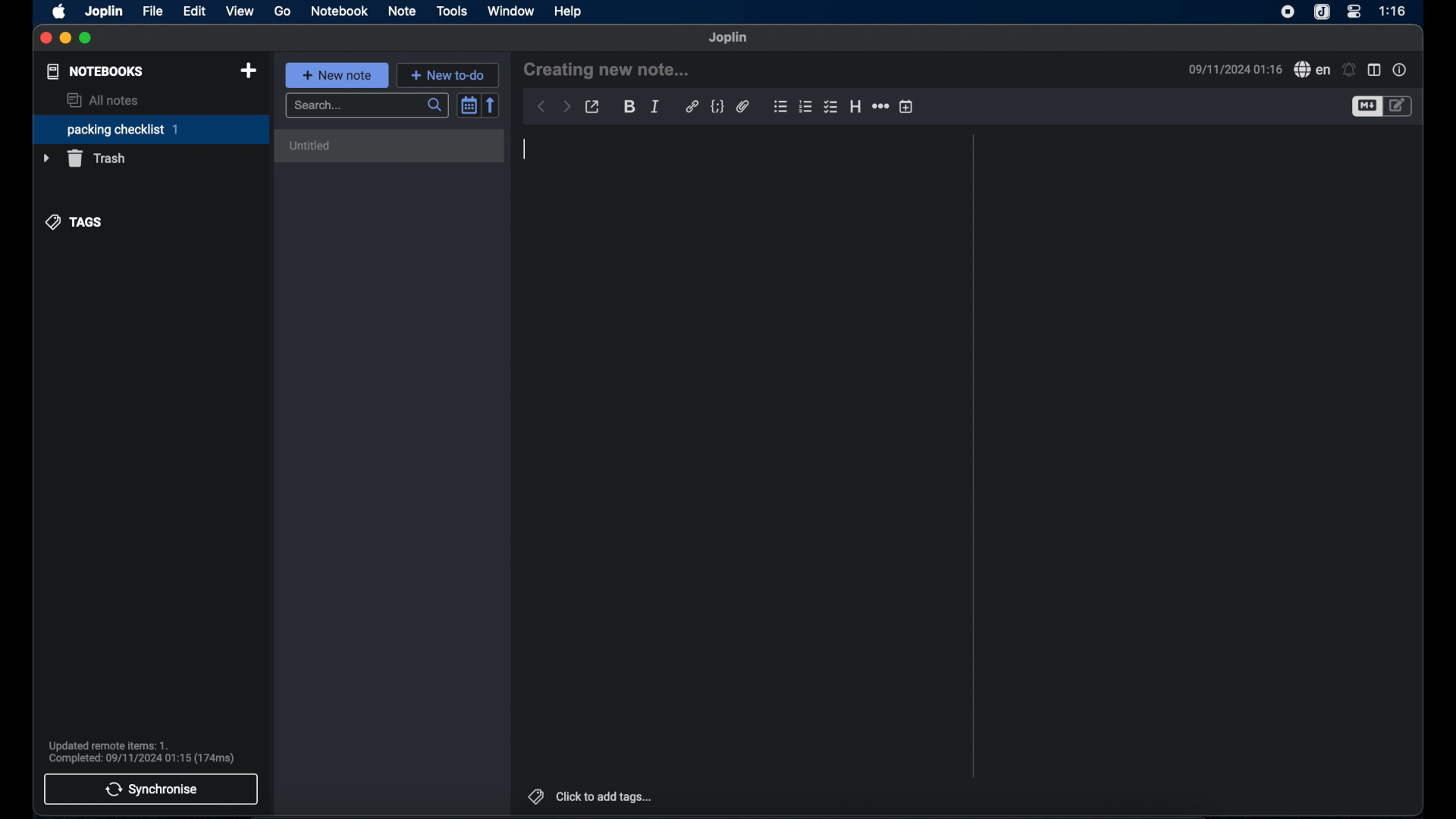 This screenshot has height=819, width=1456. What do you see at coordinates (282, 11) in the screenshot?
I see `go` at bounding box center [282, 11].